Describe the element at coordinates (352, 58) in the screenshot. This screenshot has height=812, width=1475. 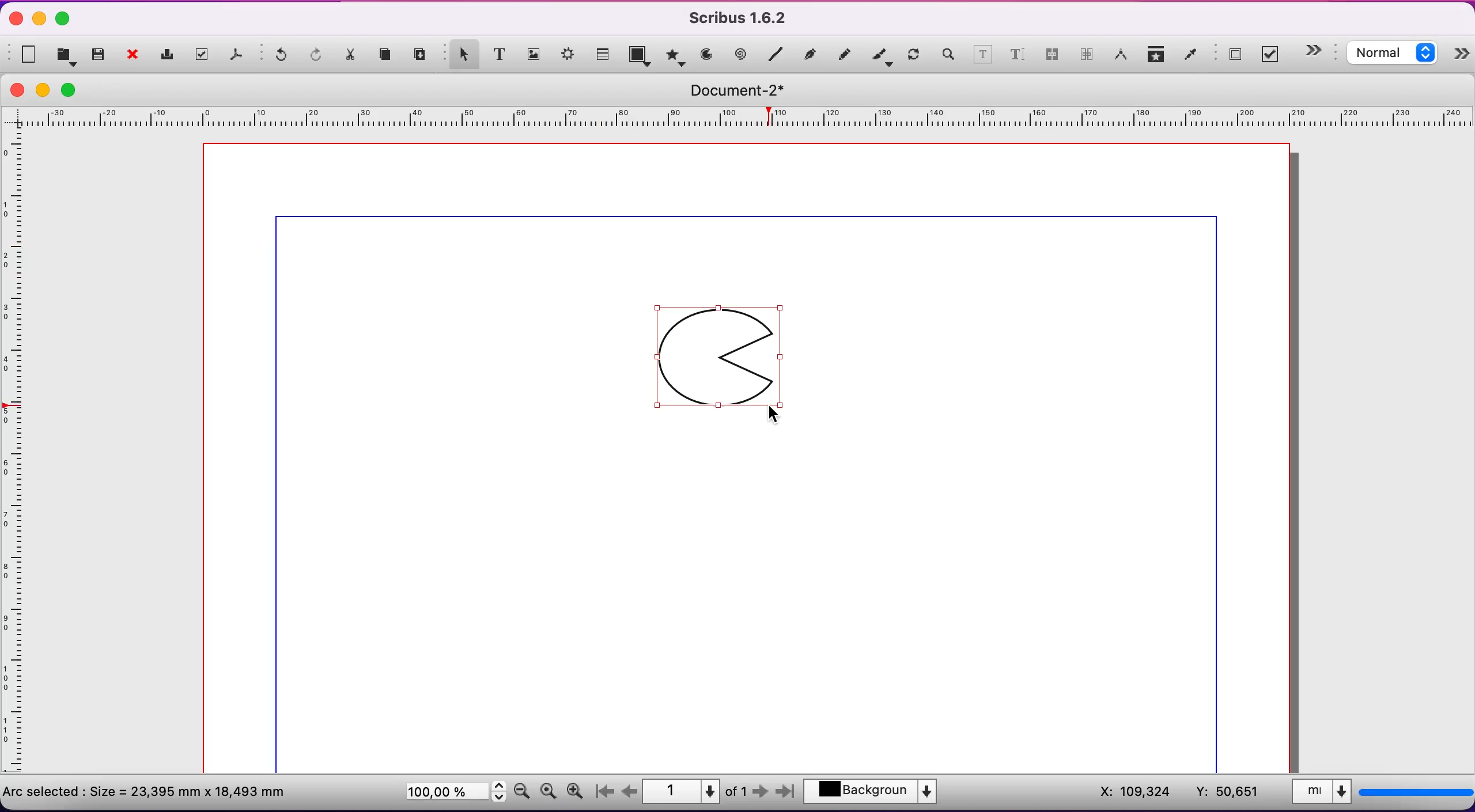
I see `cut` at that location.